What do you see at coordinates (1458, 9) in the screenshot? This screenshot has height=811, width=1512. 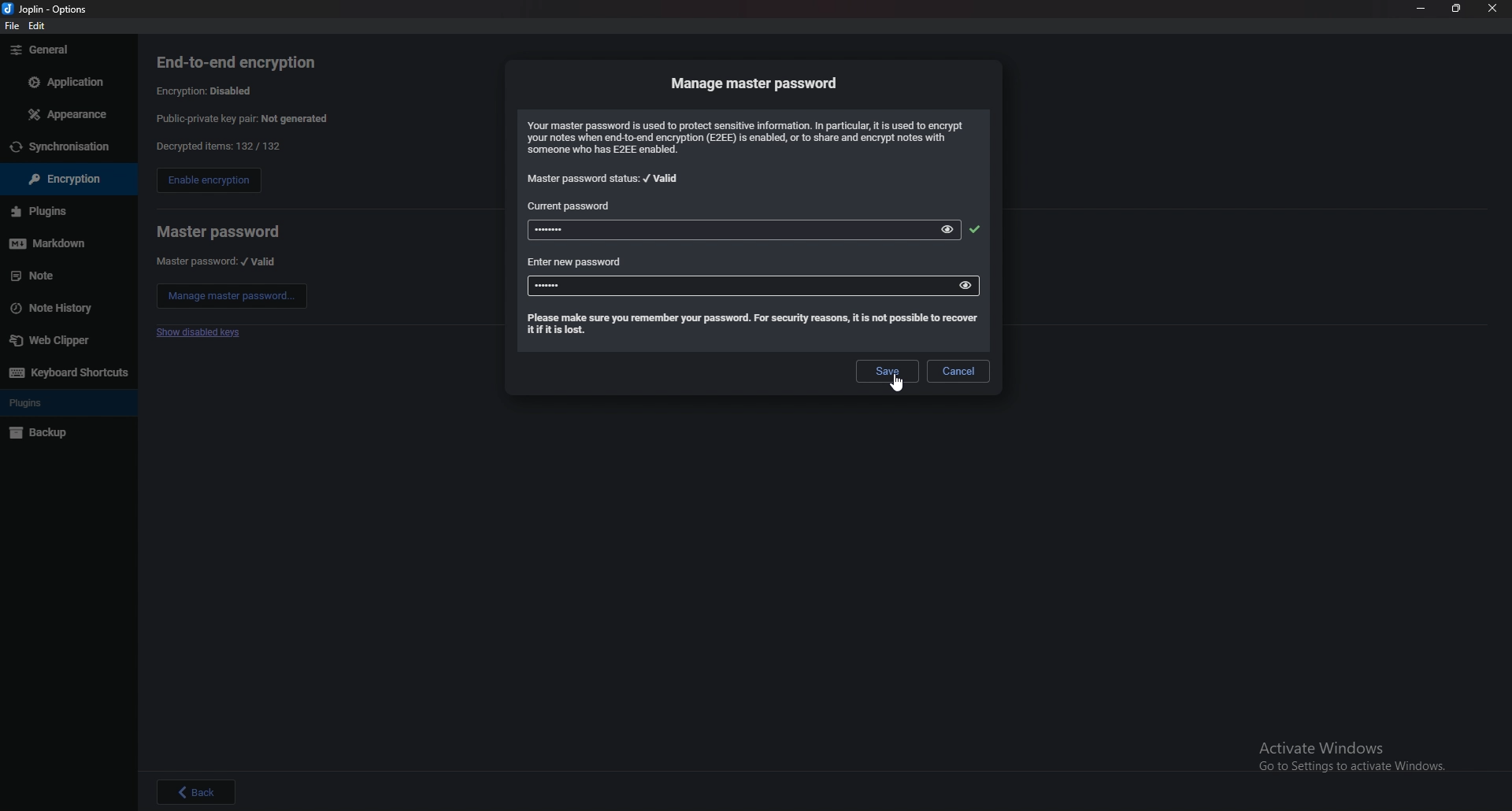 I see `resize` at bounding box center [1458, 9].